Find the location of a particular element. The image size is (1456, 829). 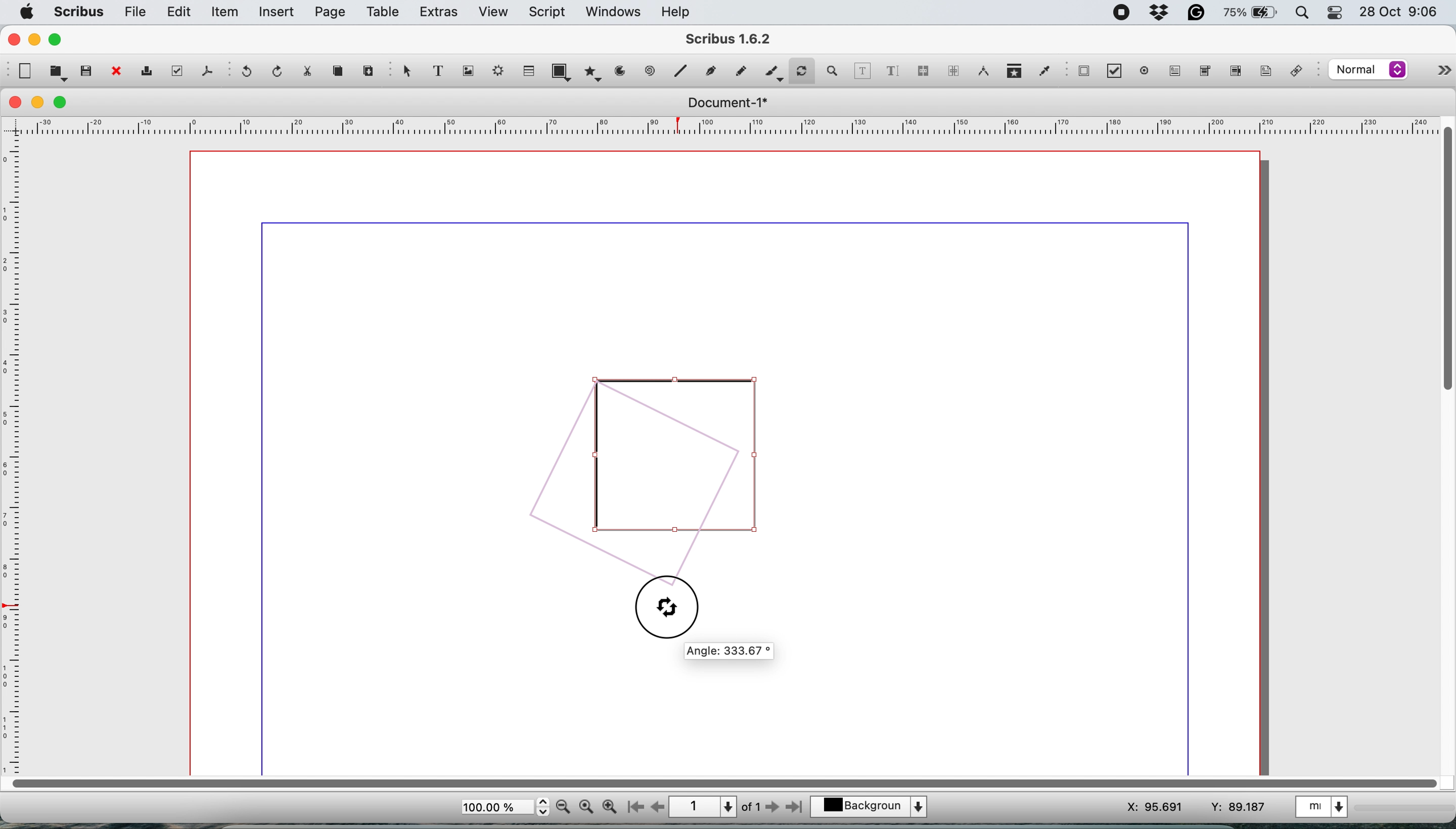

pdf radio button is located at coordinates (1142, 71).